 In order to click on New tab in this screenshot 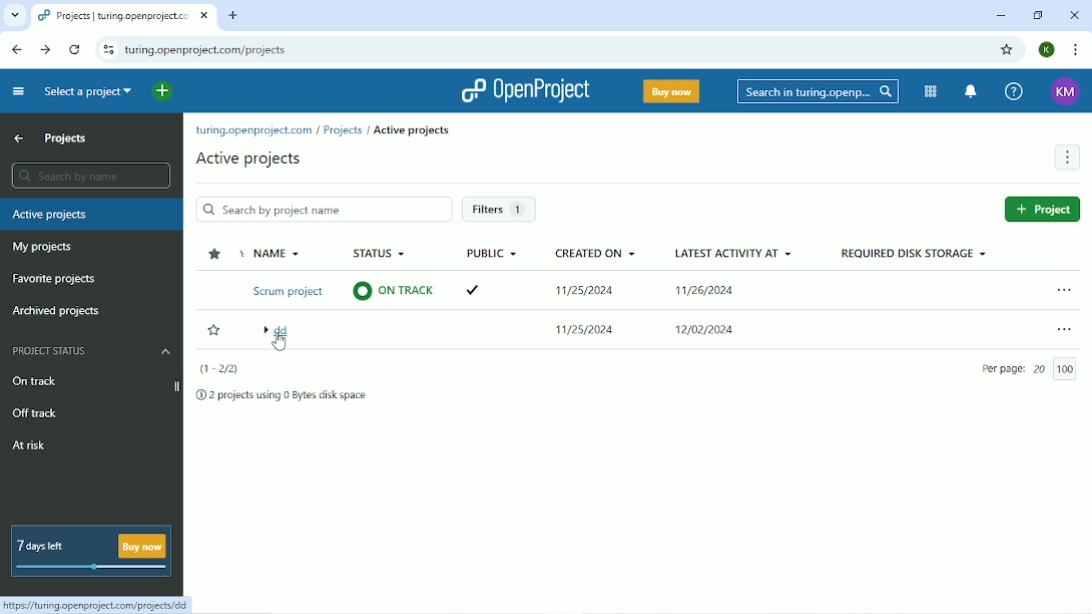, I will do `click(233, 15)`.